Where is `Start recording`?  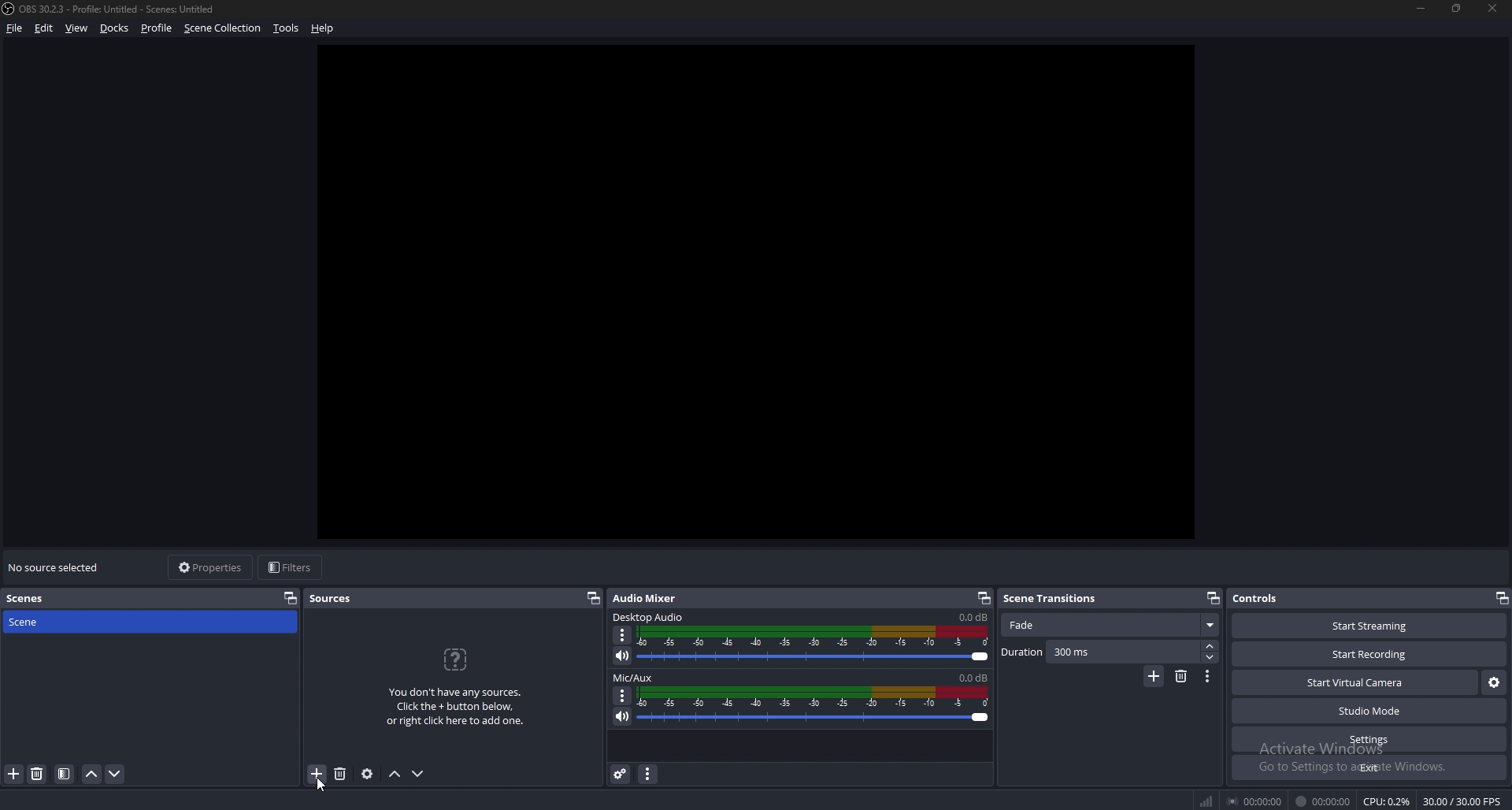
Start recording is located at coordinates (1370, 655).